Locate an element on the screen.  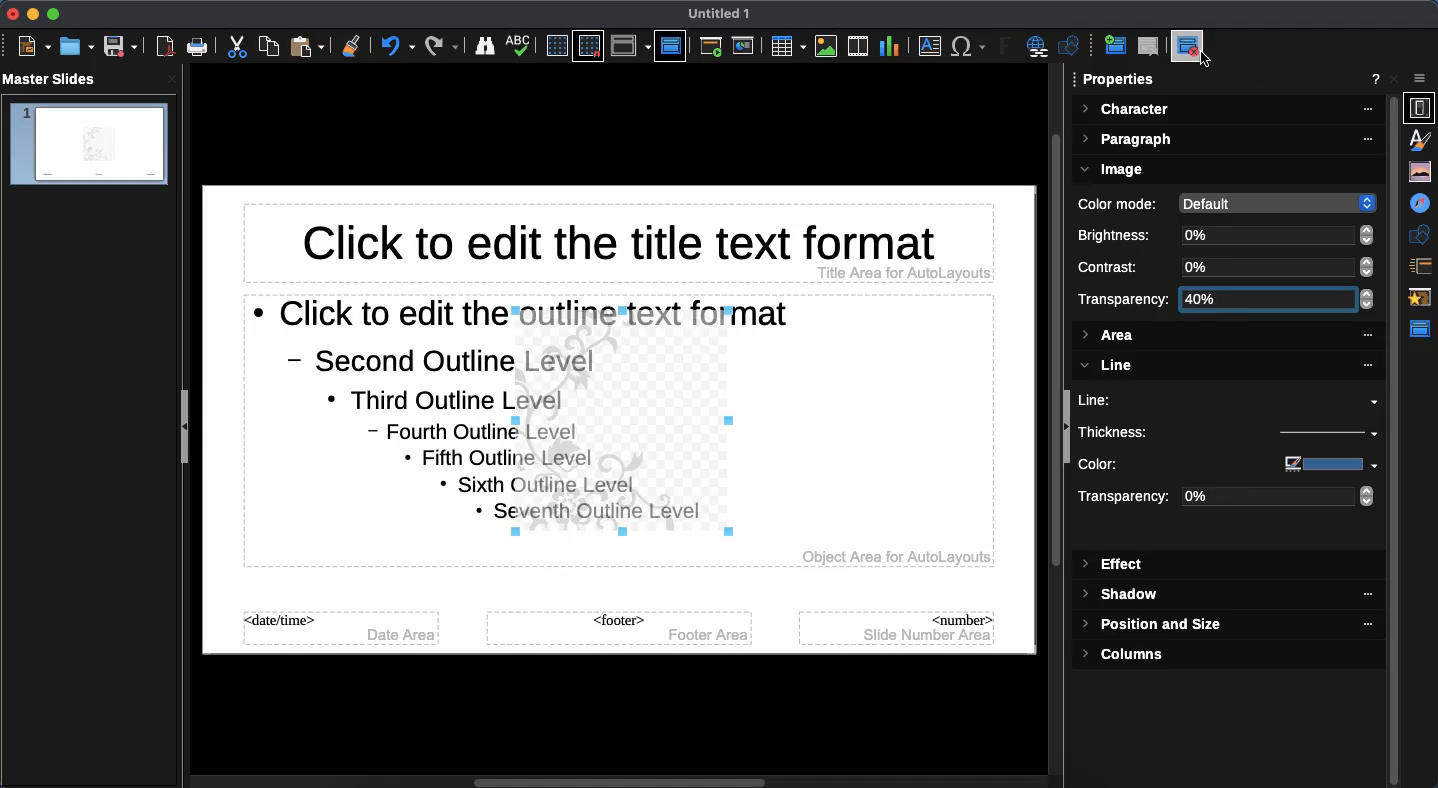
Chart is located at coordinates (889, 45).